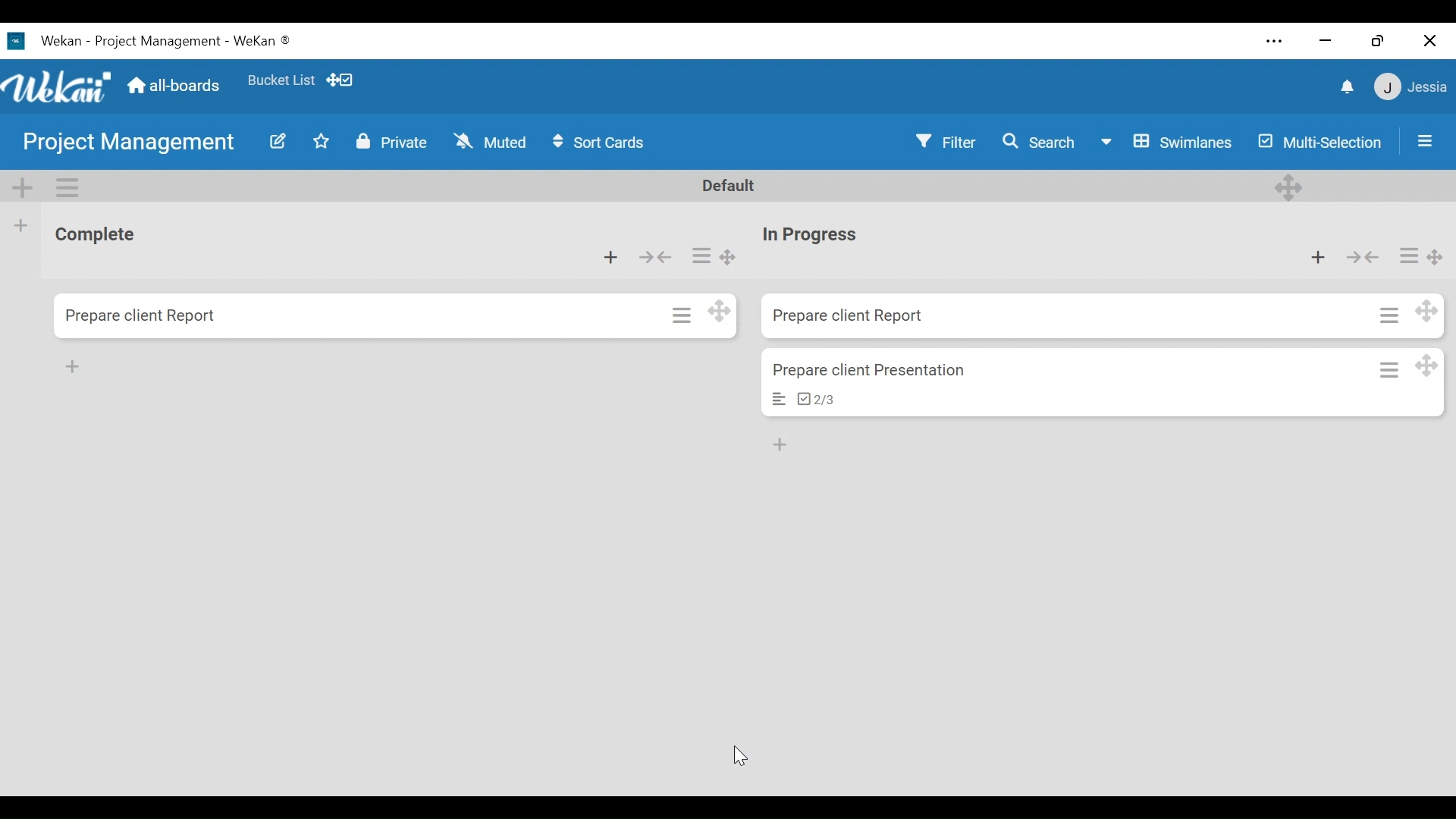 This screenshot has height=819, width=1456. What do you see at coordinates (1436, 256) in the screenshot?
I see `Desktop drag handle` at bounding box center [1436, 256].